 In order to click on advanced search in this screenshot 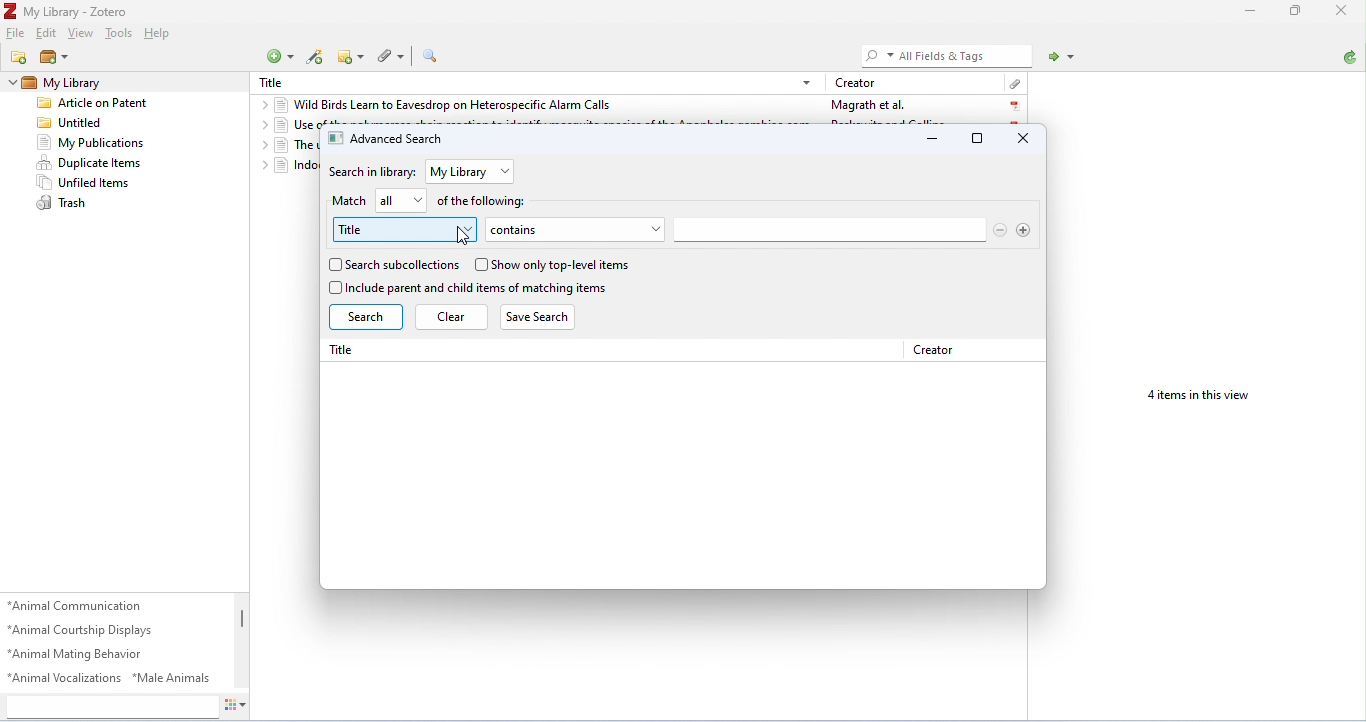, I will do `click(434, 56)`.